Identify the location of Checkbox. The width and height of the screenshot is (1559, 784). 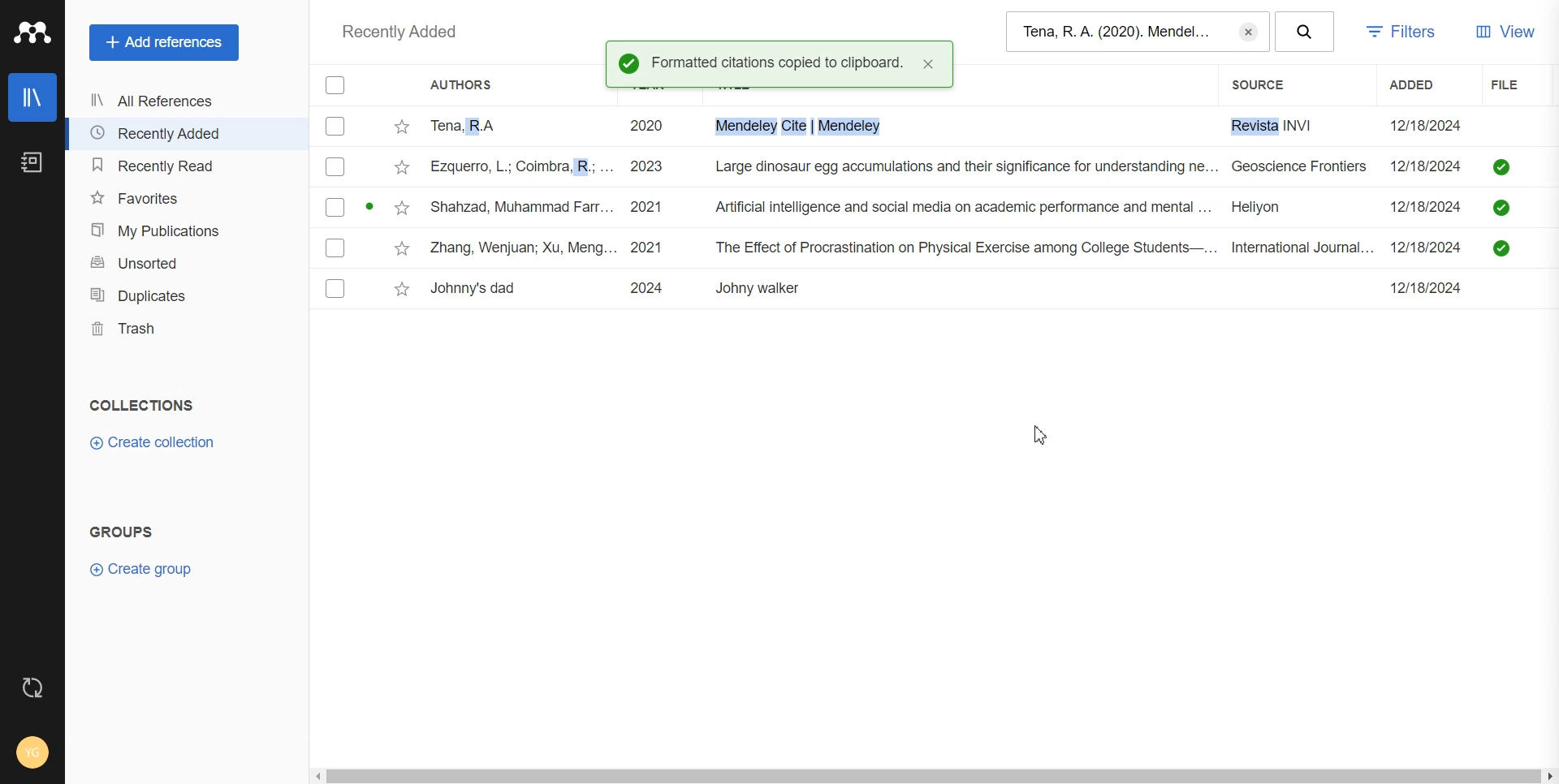
(335, 248).